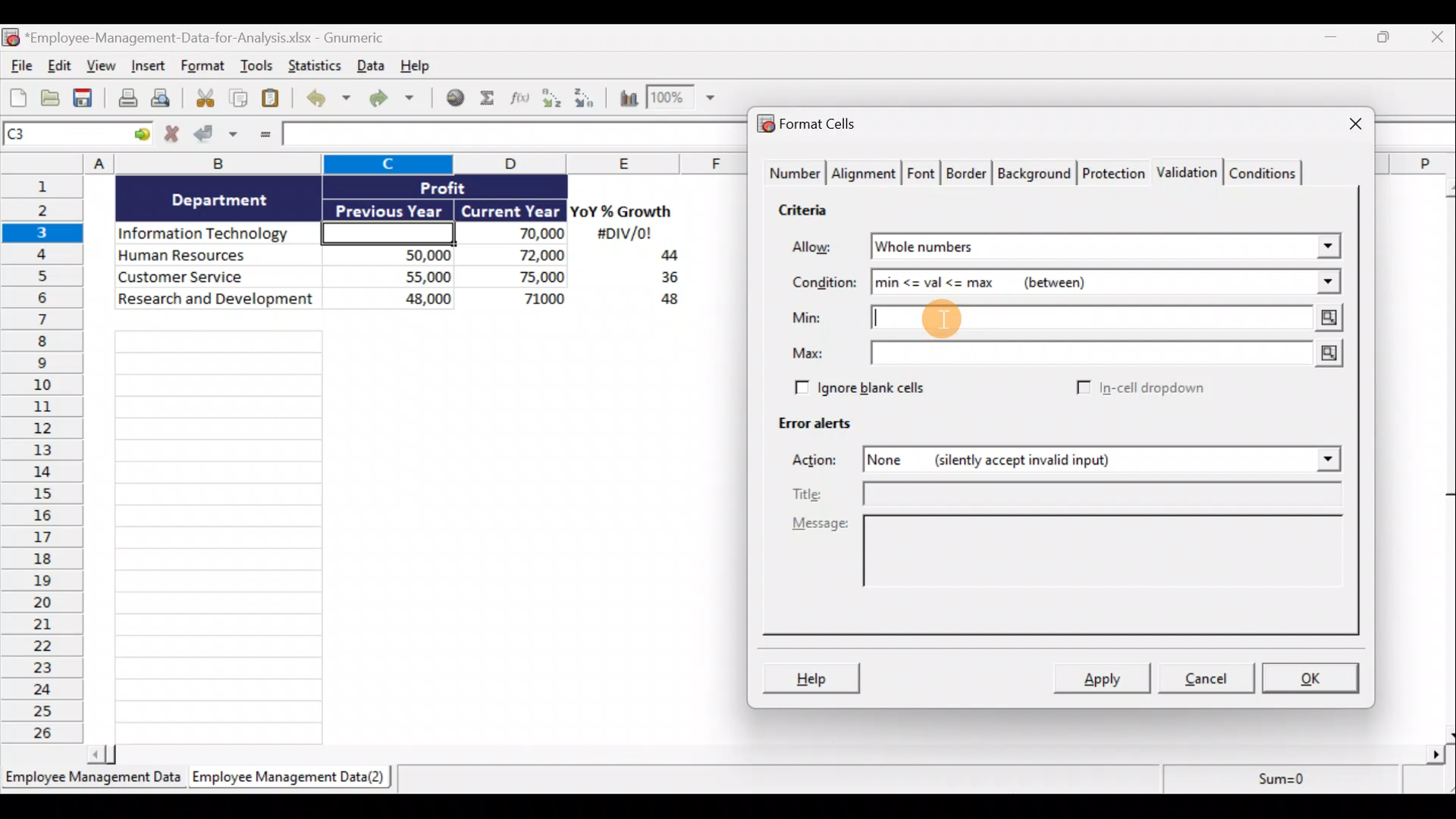 Image resolution: width=1456 pixels, height=819 pixels. What do you see at coordinates (664, 280) in the screenshot?
I see `36` at bounding box center [664, 280].